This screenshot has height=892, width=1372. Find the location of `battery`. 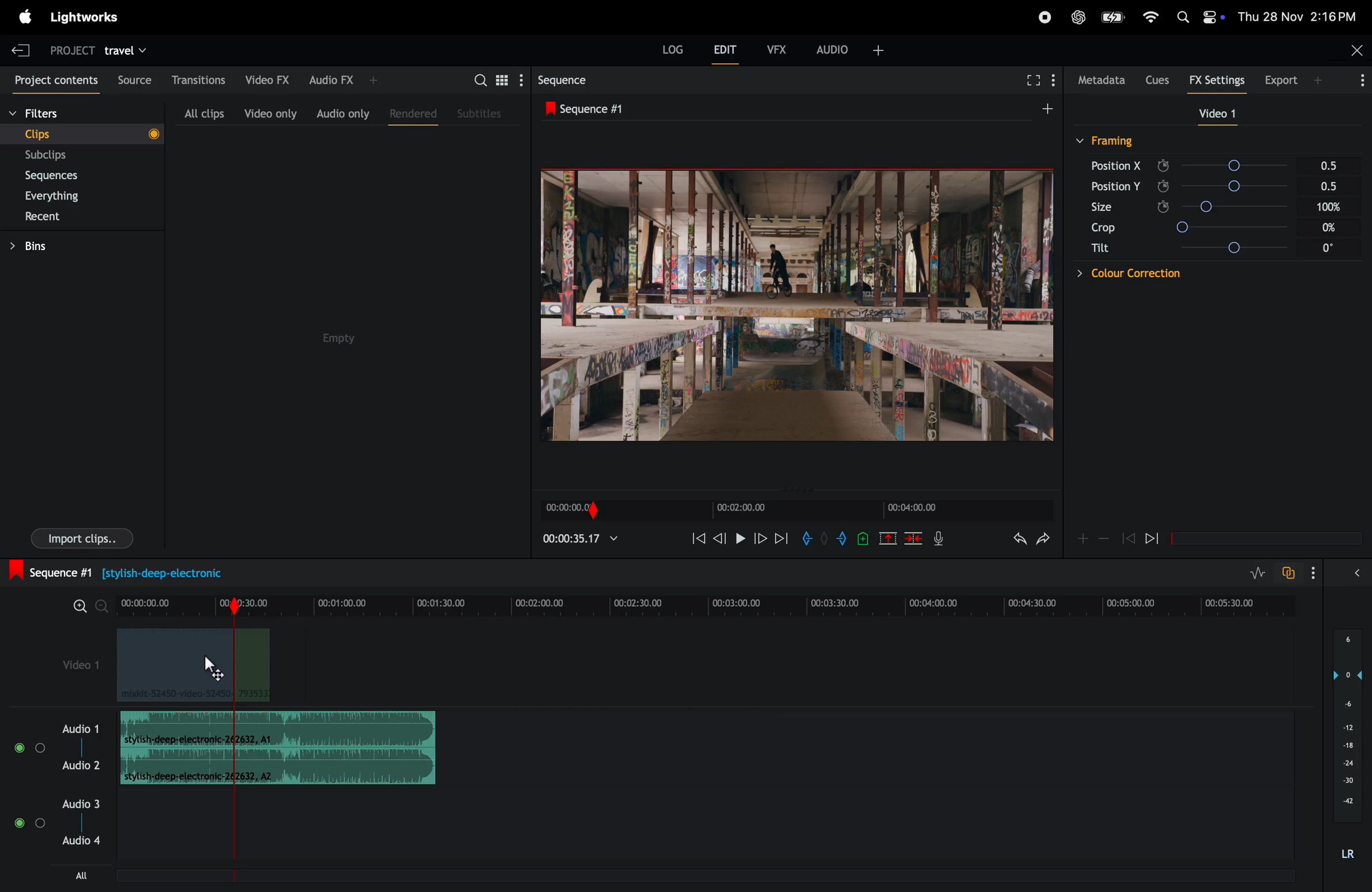

battery is located at coordinates (1113, 17).